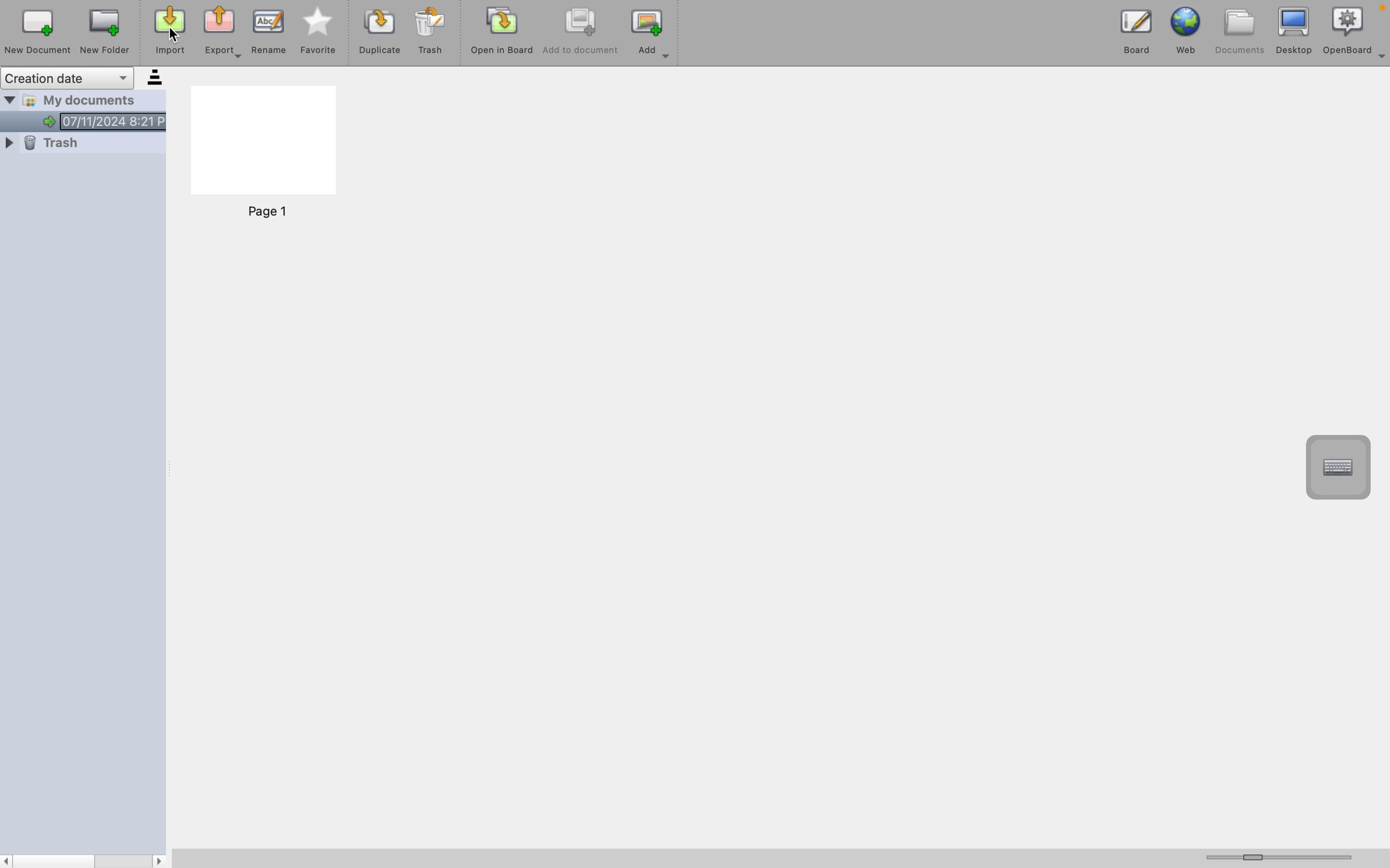 The image size is (1390, 868). What do you see at coordinates (271, 32) in the screenshot?
I see `rename` at bounding box center [271, 32].